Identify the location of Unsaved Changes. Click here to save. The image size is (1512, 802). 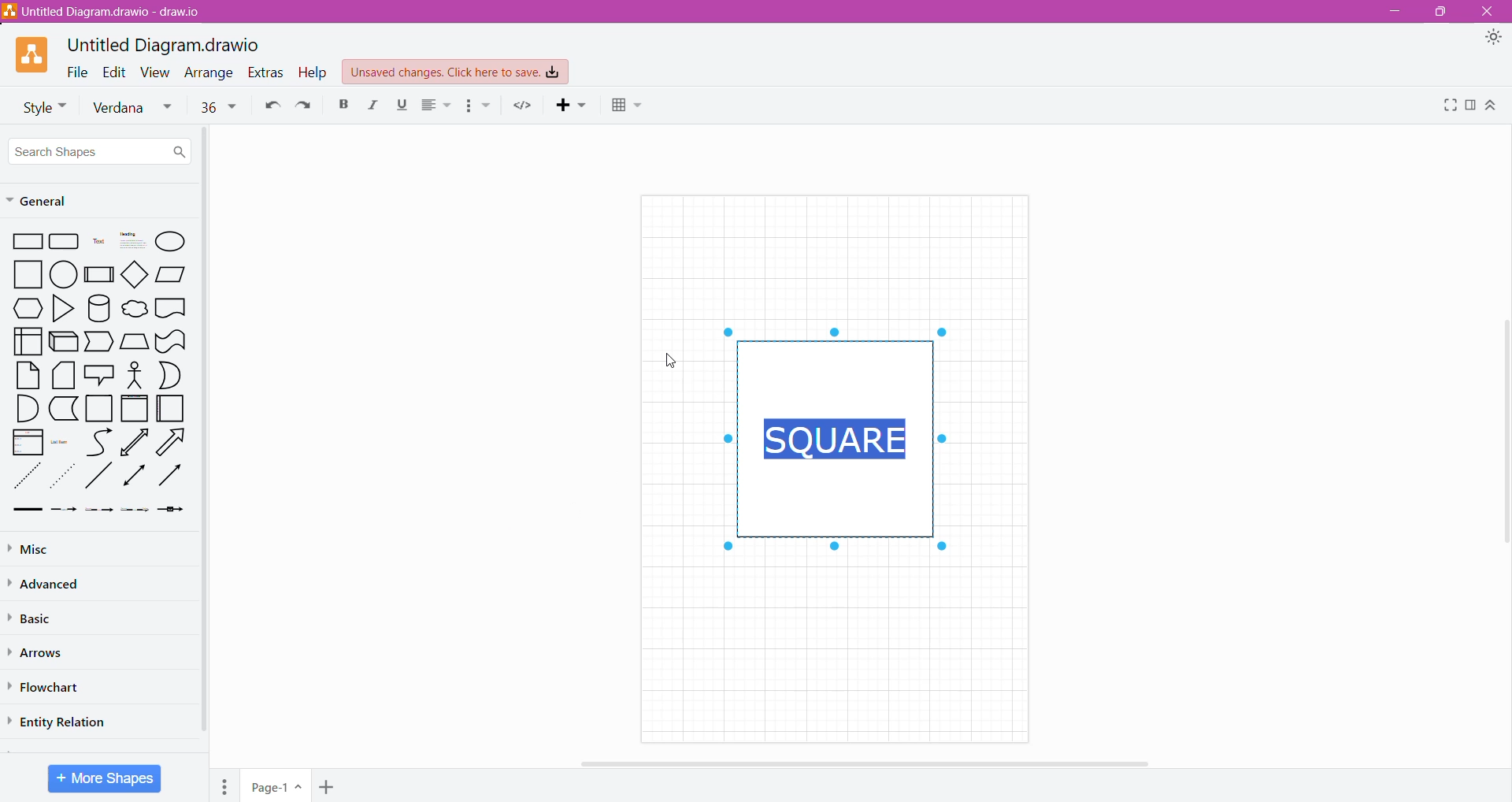
(456, 72).